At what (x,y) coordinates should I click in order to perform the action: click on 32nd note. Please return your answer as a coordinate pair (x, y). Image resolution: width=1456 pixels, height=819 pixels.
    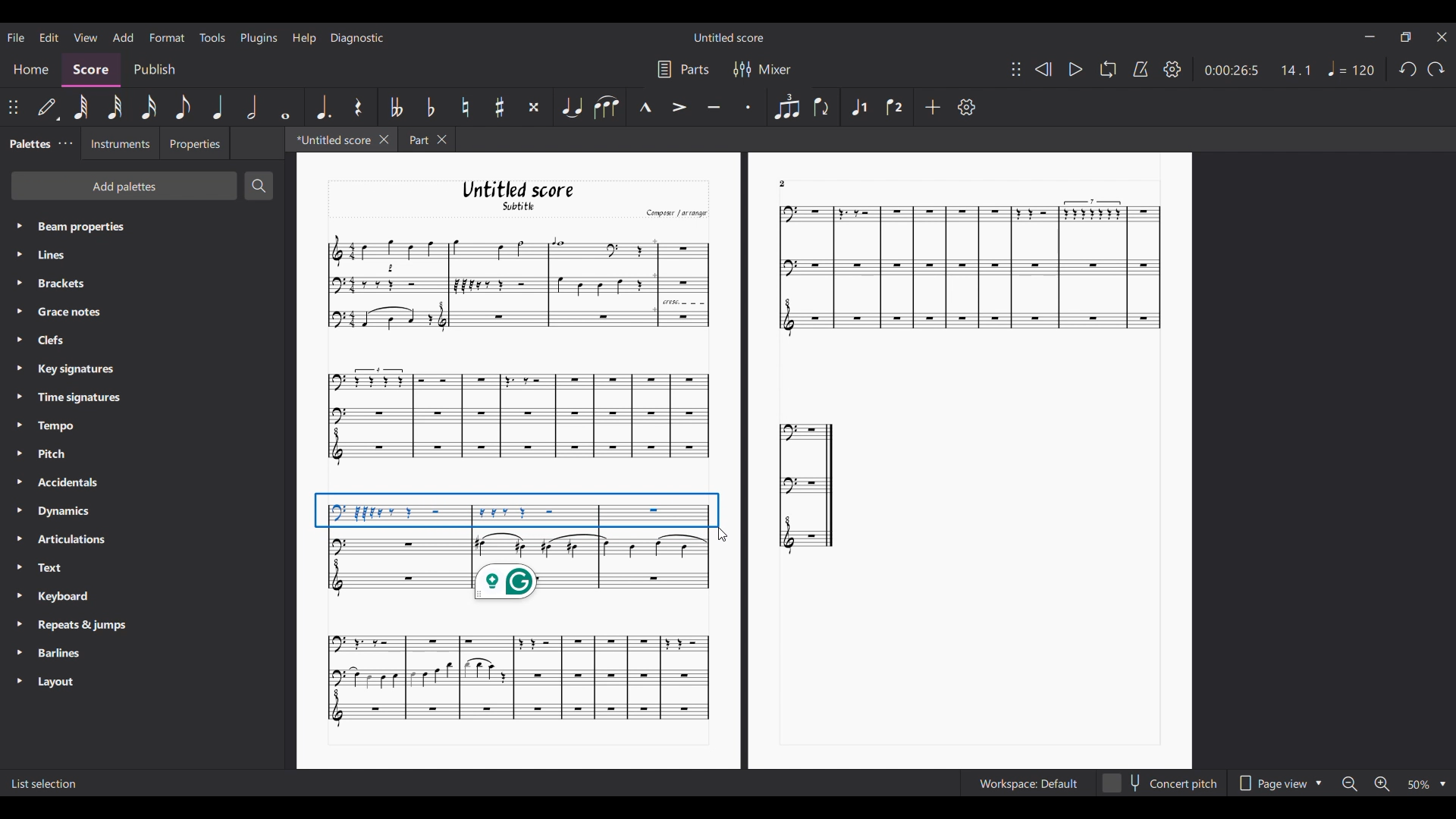
    Looking at the image, I should click on (115, 107).